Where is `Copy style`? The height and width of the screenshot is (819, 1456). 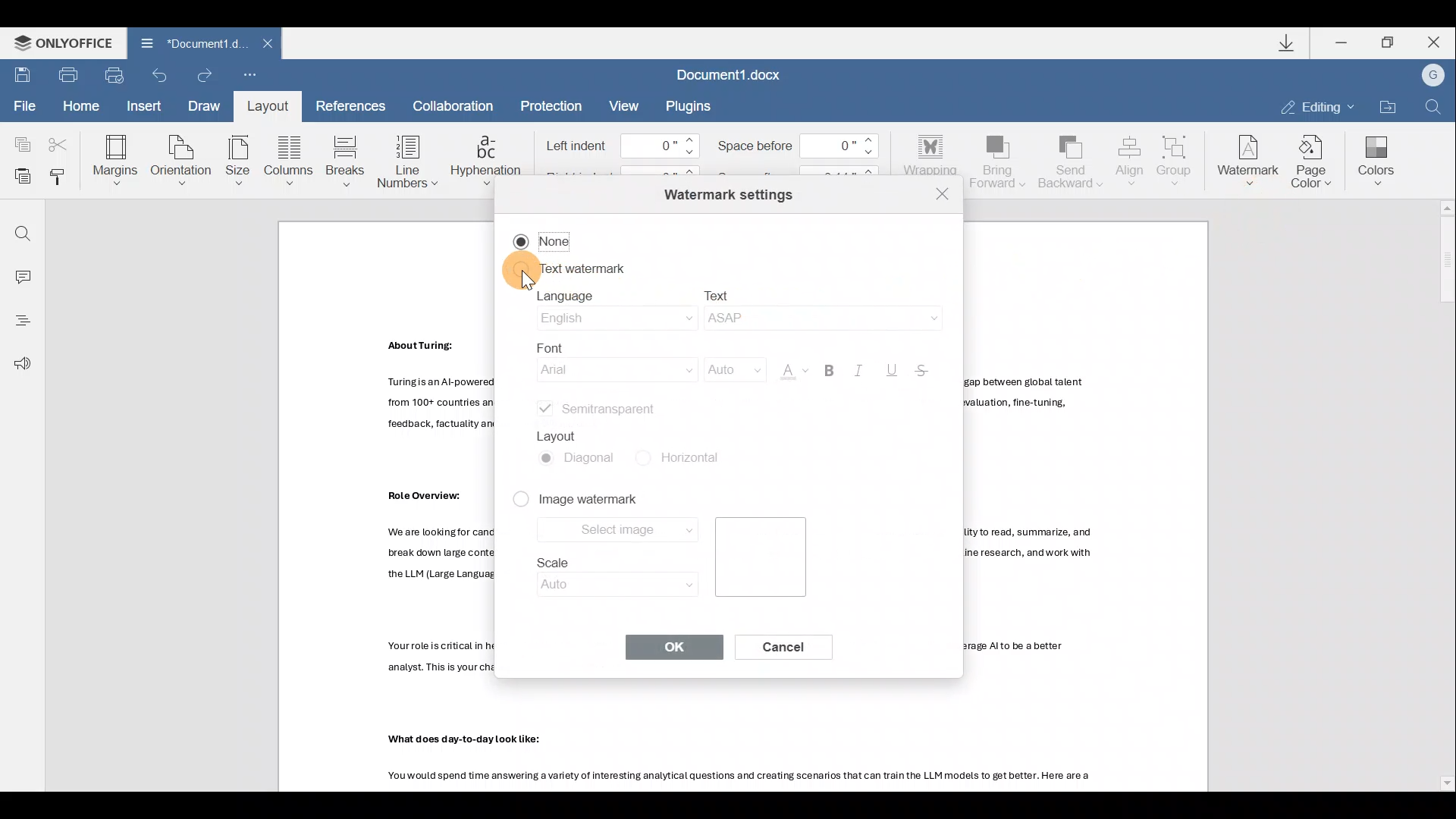 Copy style is located at coordinates (62, 179).